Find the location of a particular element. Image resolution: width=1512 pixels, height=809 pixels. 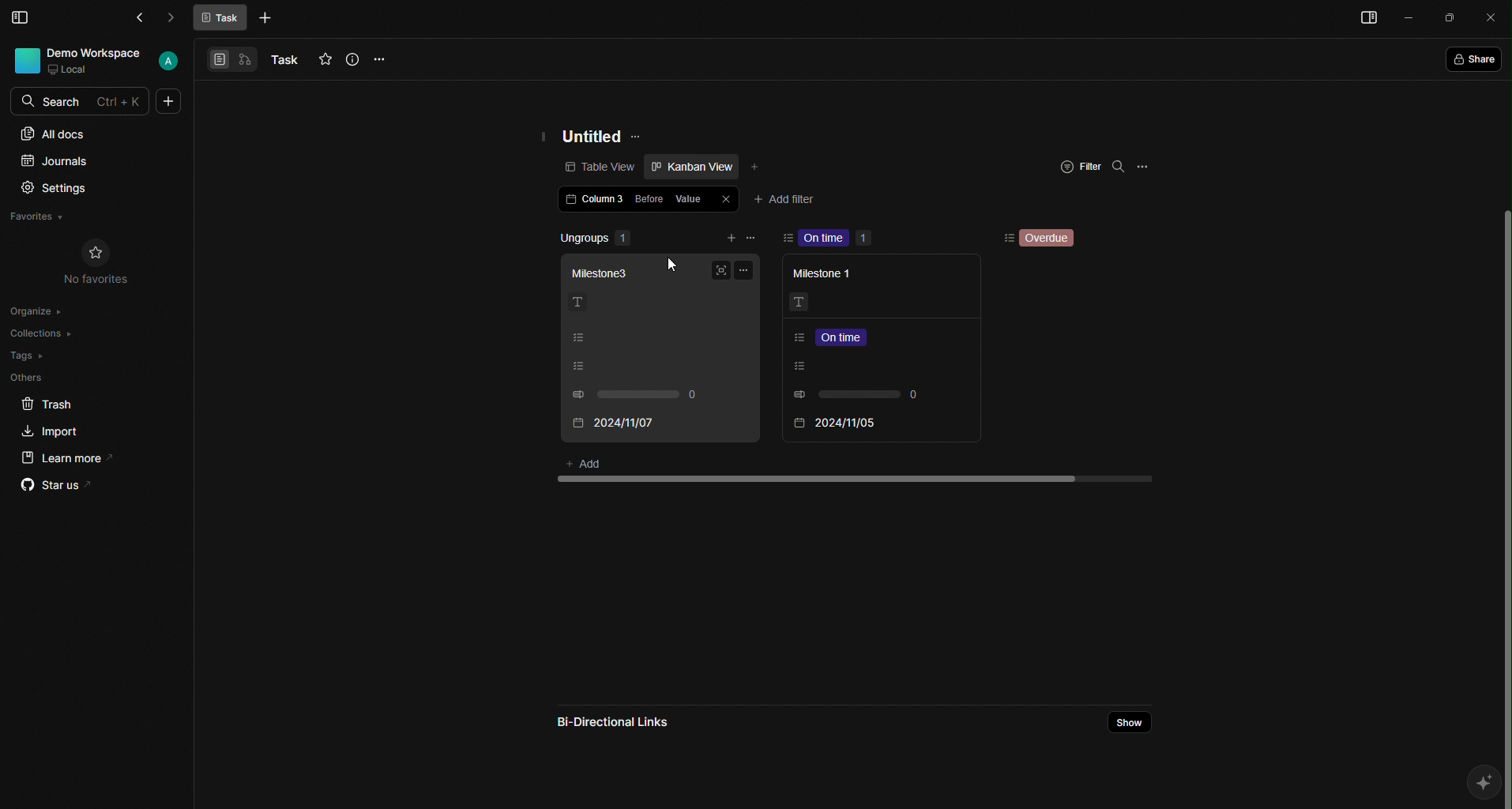

Options is located at coordinates (747, 271).